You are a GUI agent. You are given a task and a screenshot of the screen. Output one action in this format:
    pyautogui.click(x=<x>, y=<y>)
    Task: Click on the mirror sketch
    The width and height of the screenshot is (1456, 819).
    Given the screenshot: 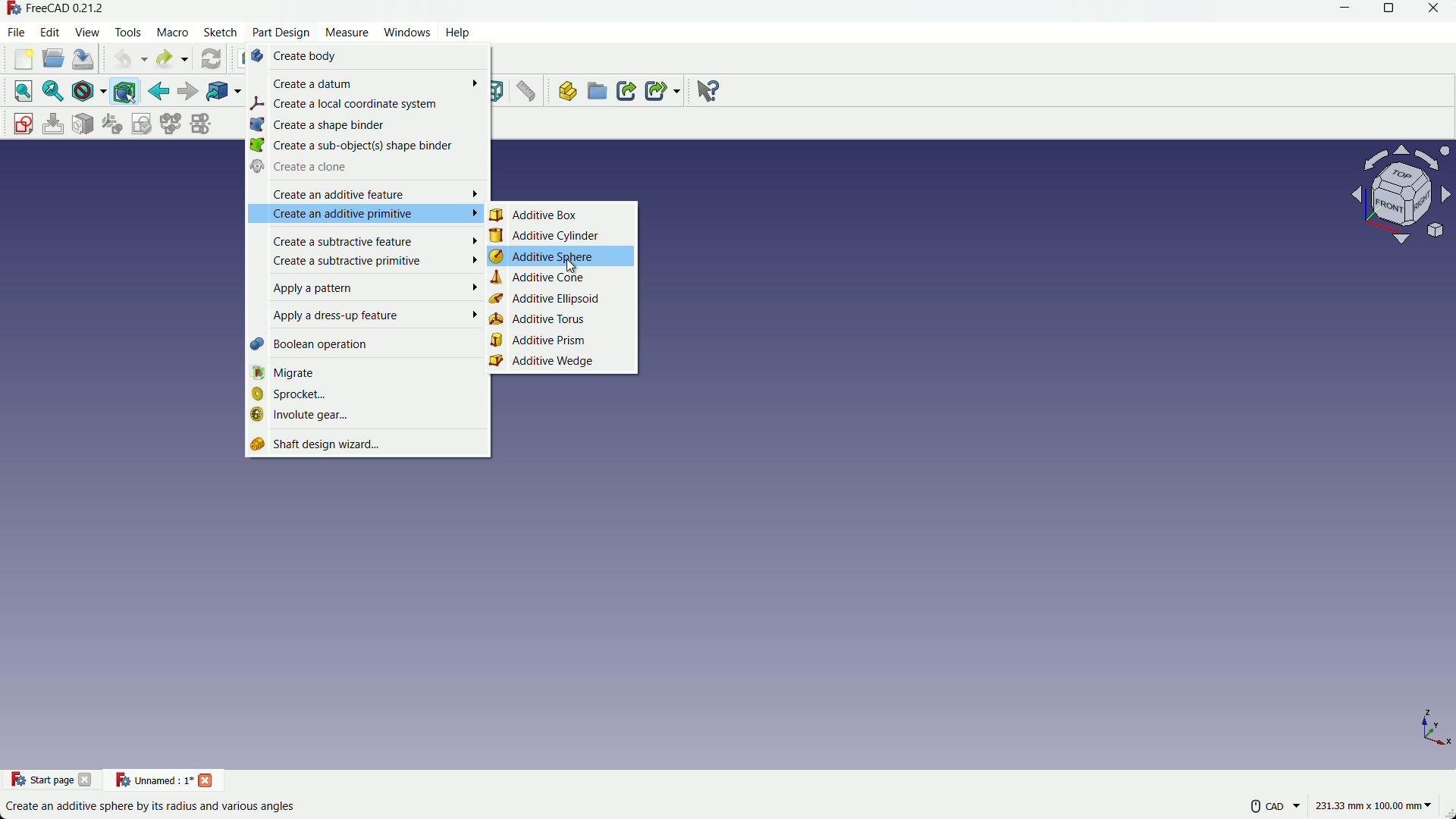 What is the action you would take?
    pyautogui.click(x=202, y=124)
    